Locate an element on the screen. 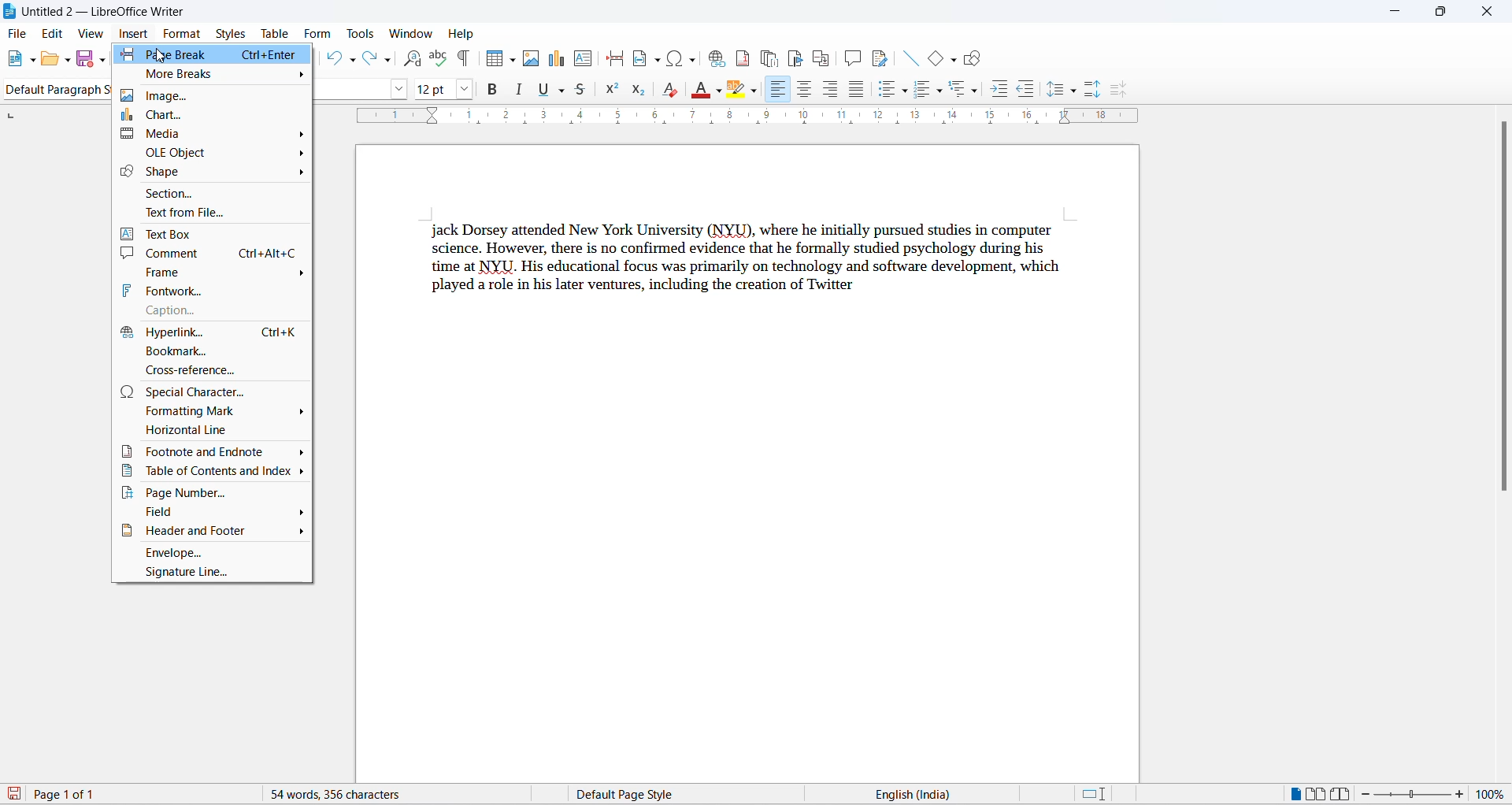  insert chart is located at coordinates (559, 59).